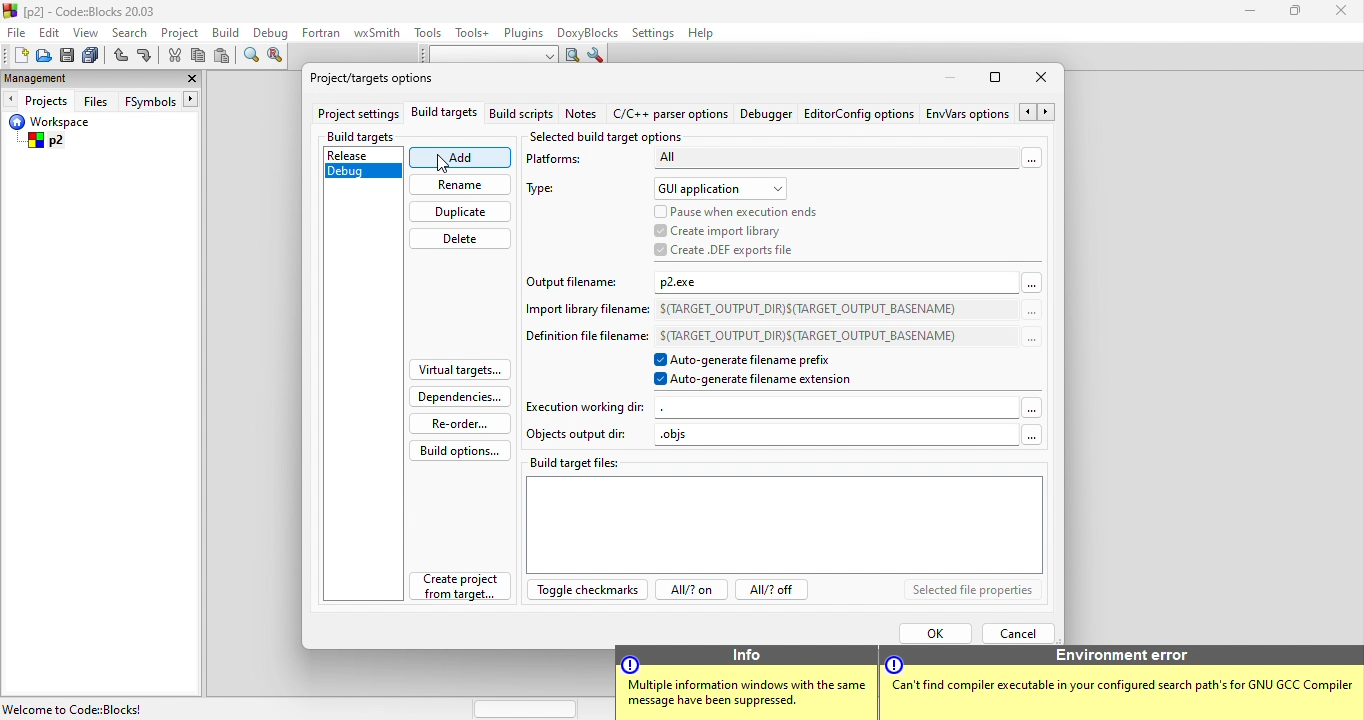 This screenshot has height=720, width=1364. I want to click on virtual targets, so click(461, 367).